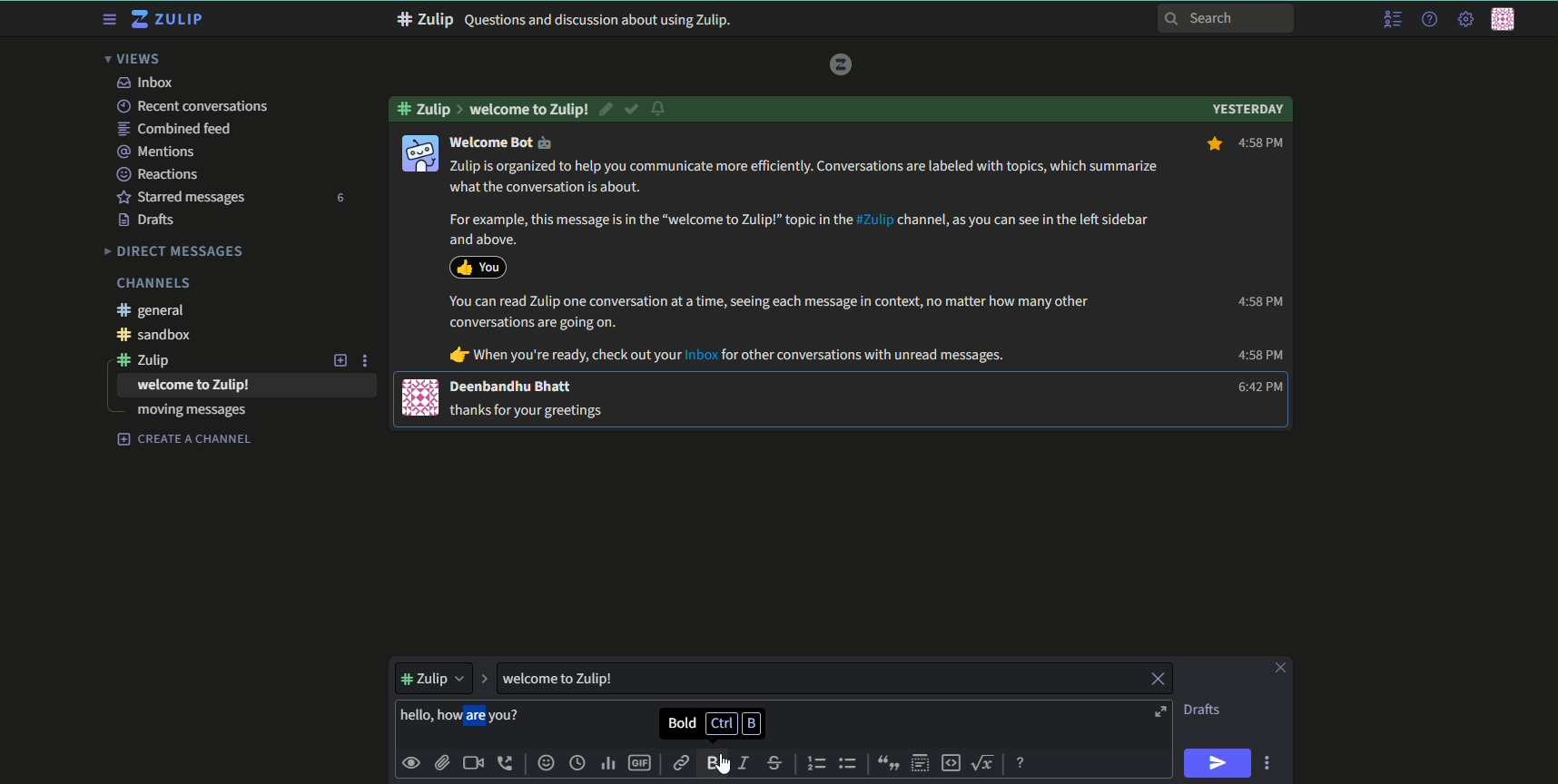 The image size is (1558, 784). What do you see at coordinates (1391, 20) in the screenshot?
I see `menu` at bounding box center [1391, 20].